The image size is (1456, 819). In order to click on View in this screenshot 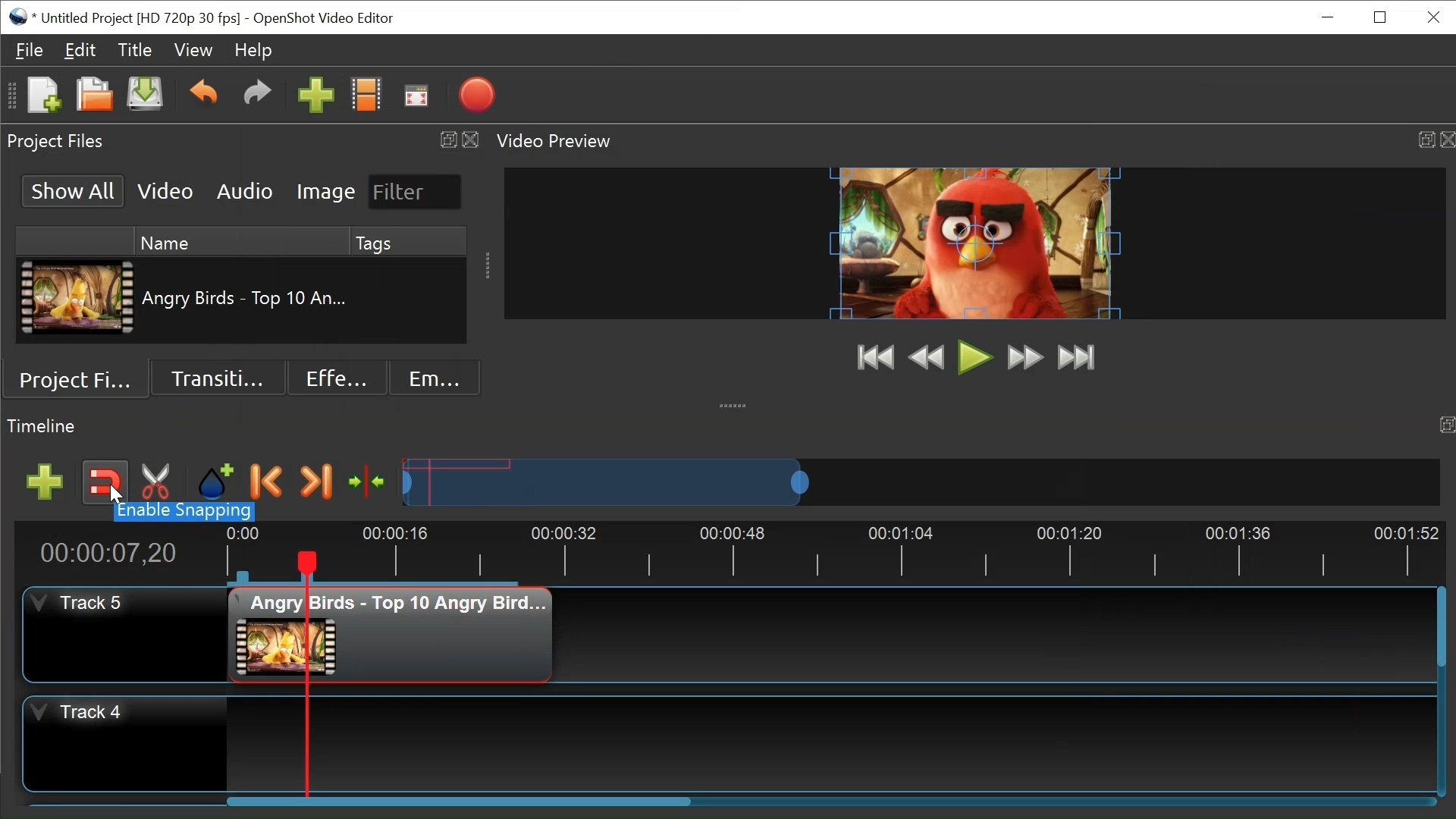, I will do `click(194, 49)`.